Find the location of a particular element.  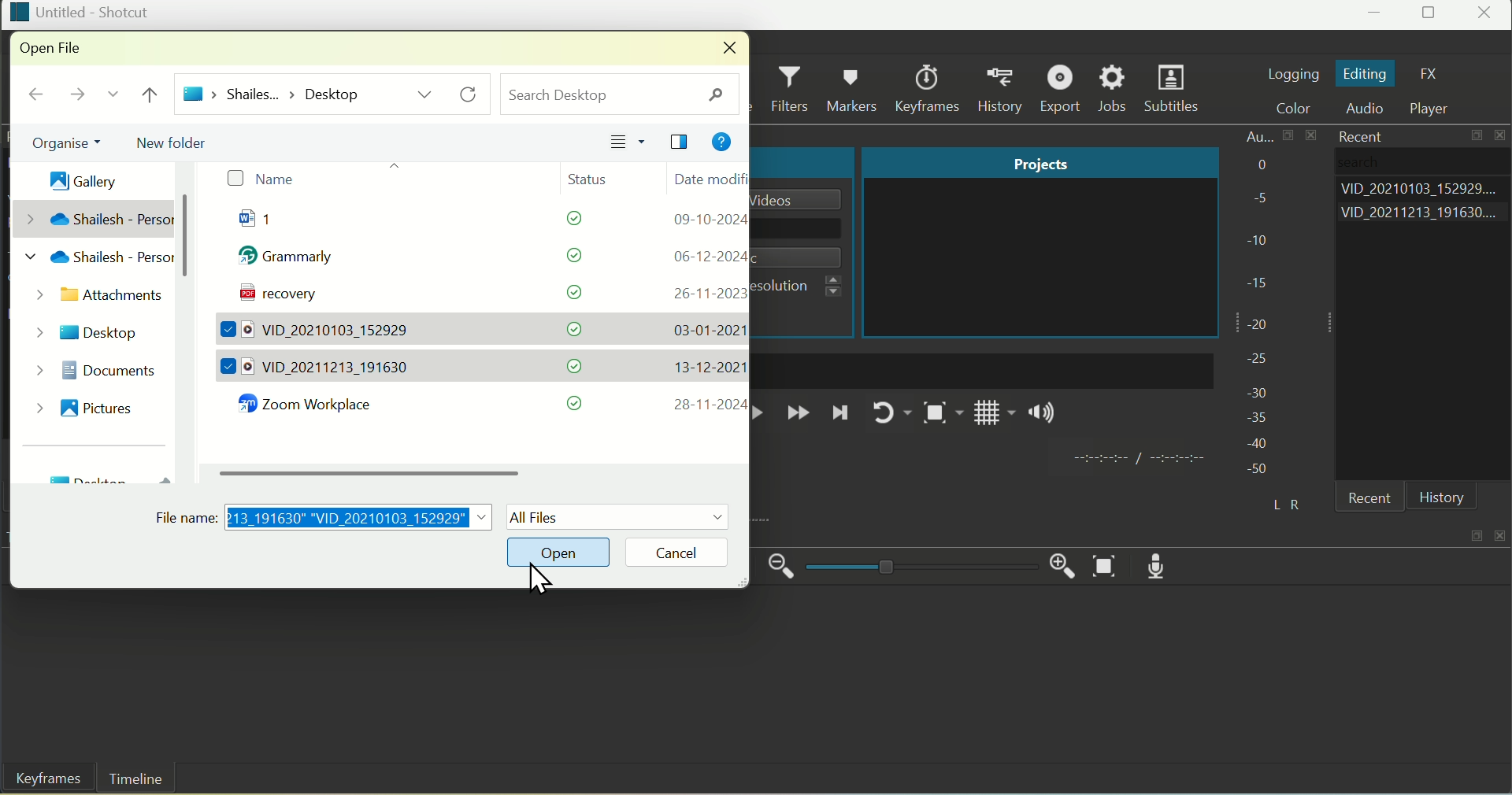

Color is located at coordinates (1301, 109).